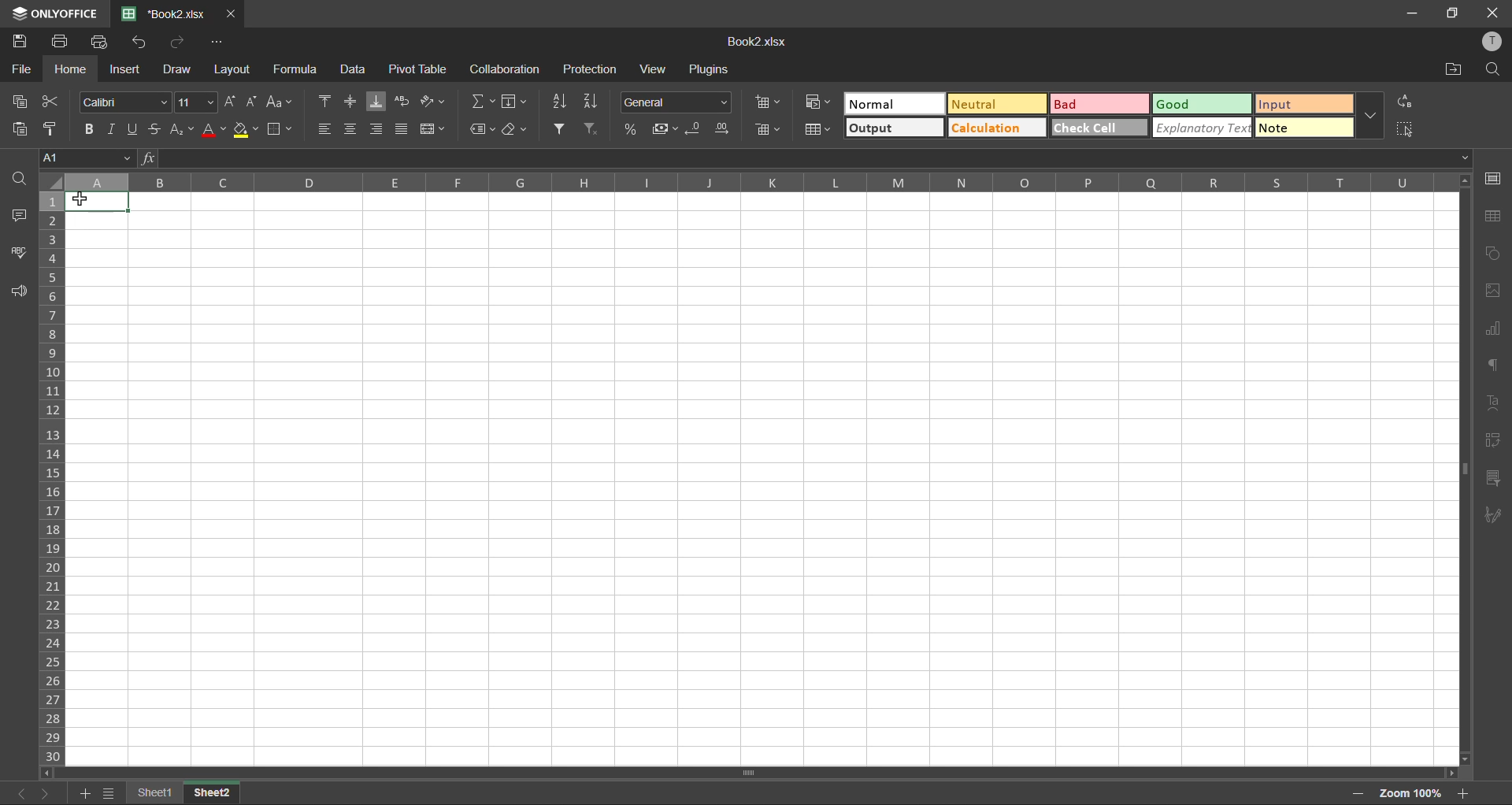 This screenshot has width=1512, height=805. I want to click on formula bar, so click(806, 158).